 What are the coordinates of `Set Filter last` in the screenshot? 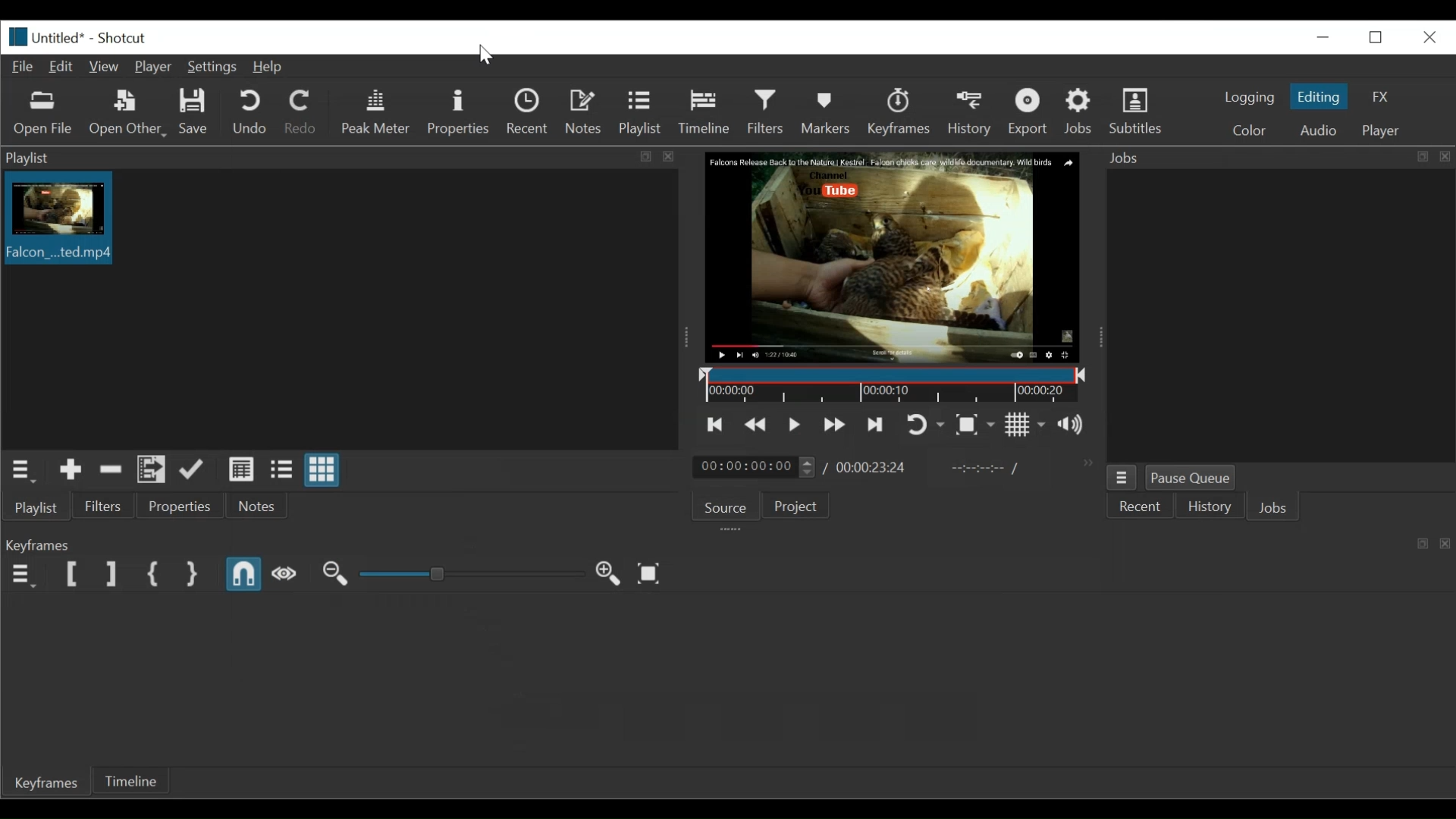 It's located at (113, 576).